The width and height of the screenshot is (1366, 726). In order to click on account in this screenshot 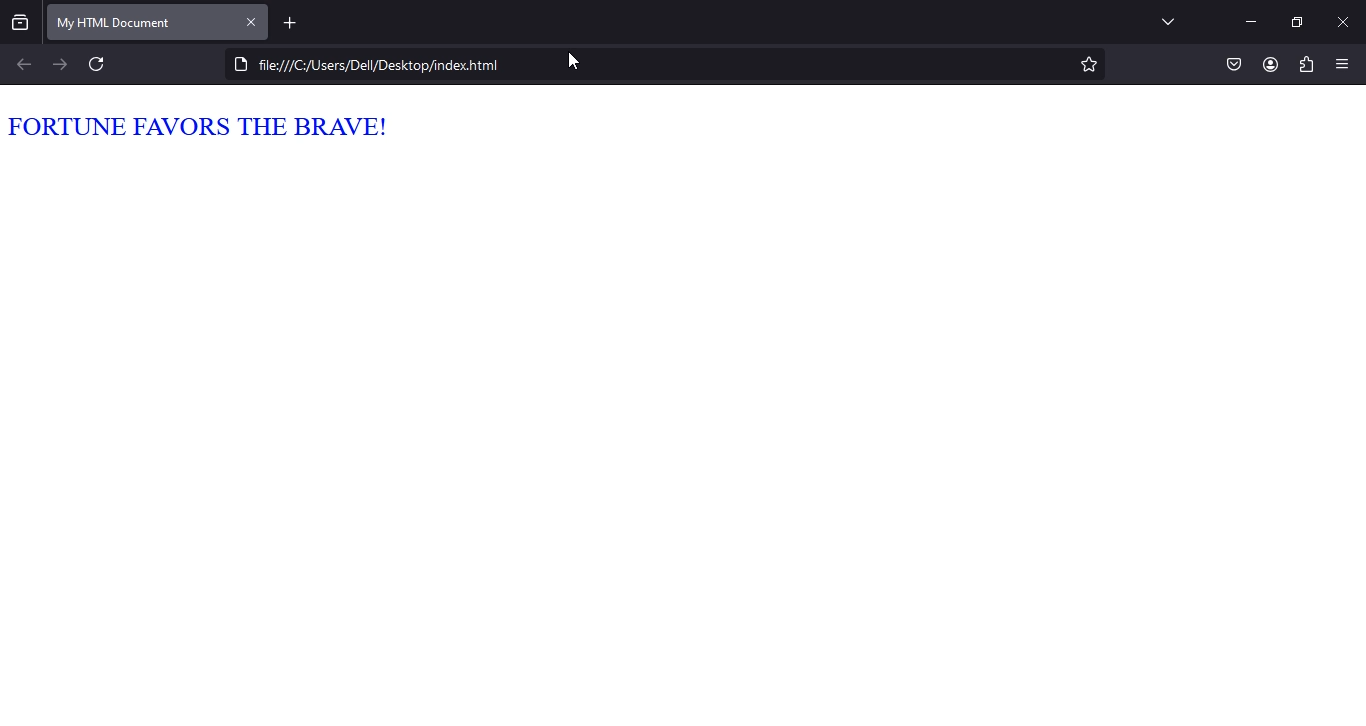, I will do `click(1272, 66)`.